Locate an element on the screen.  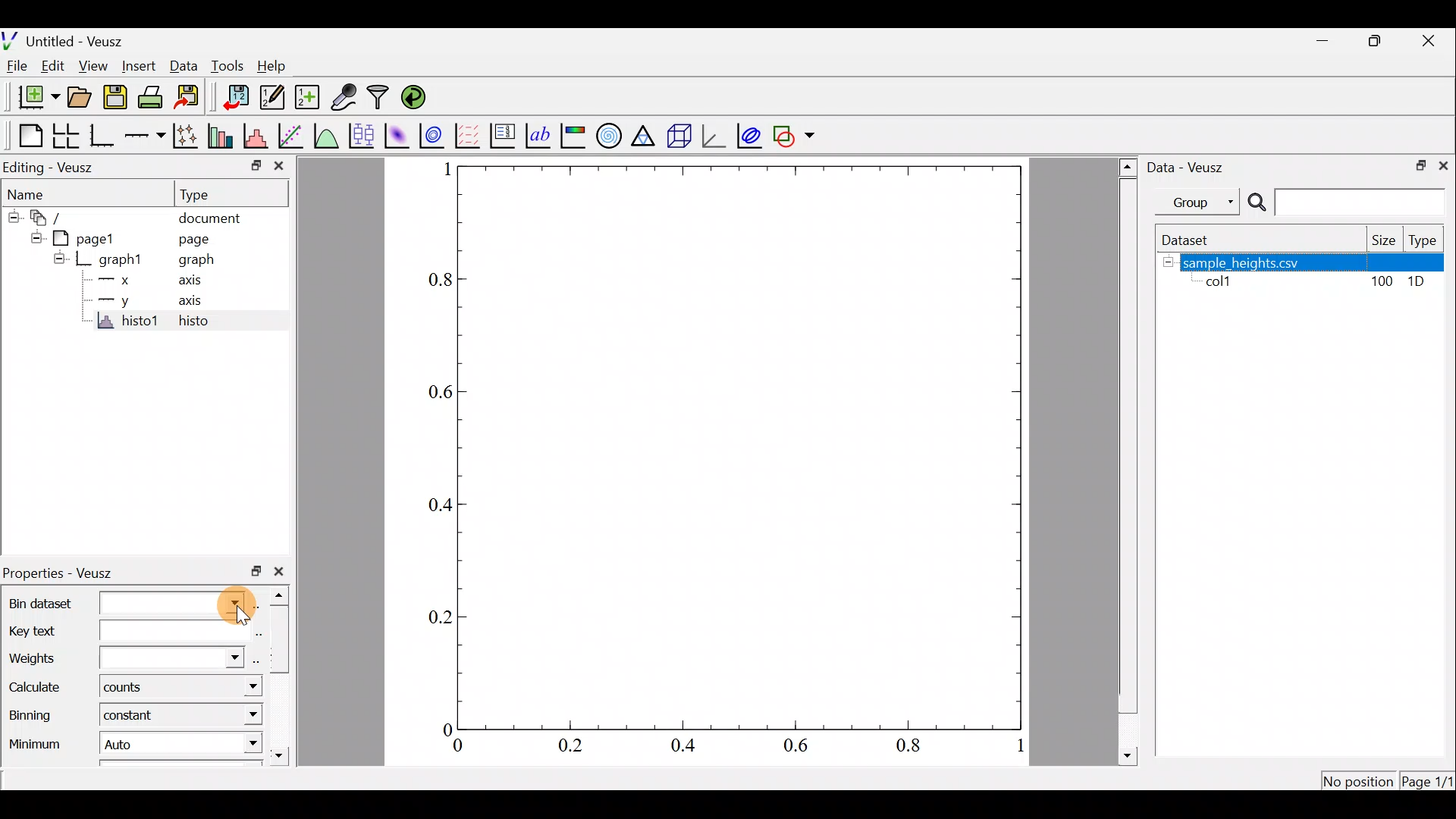
scroll bar is located at coordinates (1125, 460).